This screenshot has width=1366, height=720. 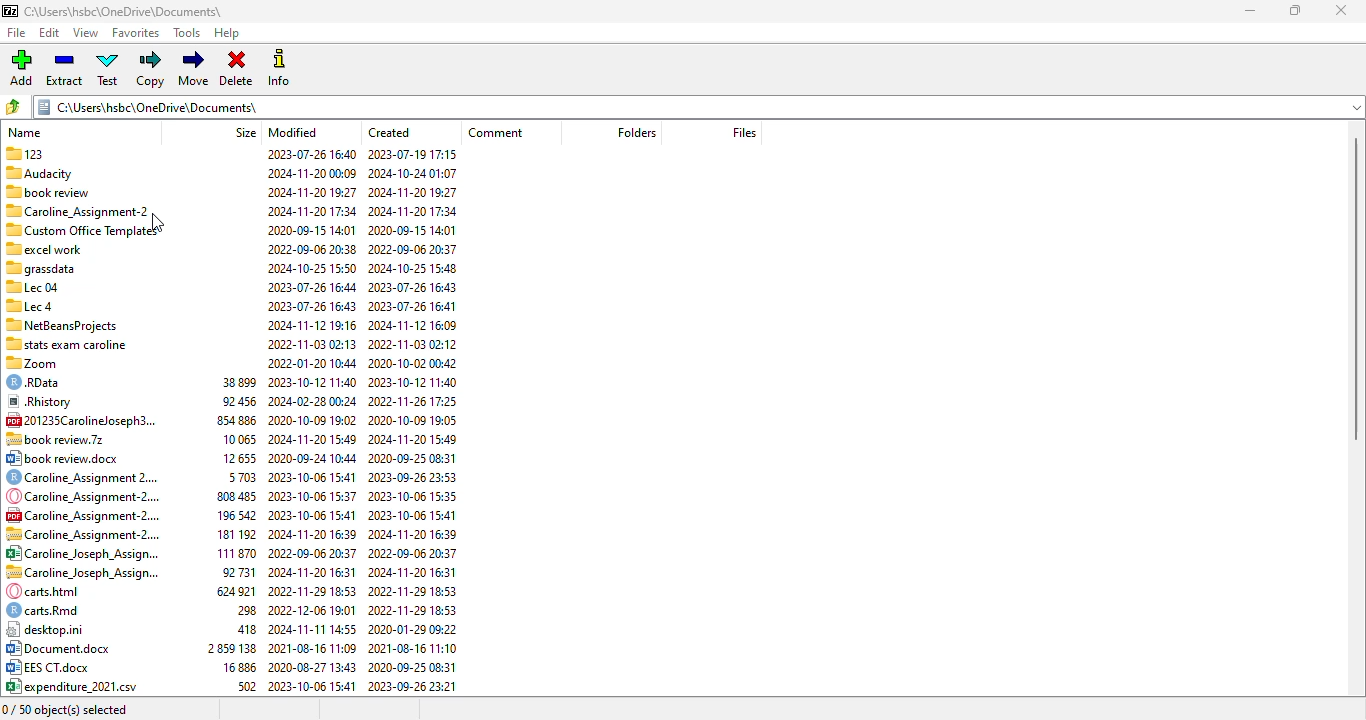 I want to click on 2022-11-20 18:53, so click(x=313, y=588).